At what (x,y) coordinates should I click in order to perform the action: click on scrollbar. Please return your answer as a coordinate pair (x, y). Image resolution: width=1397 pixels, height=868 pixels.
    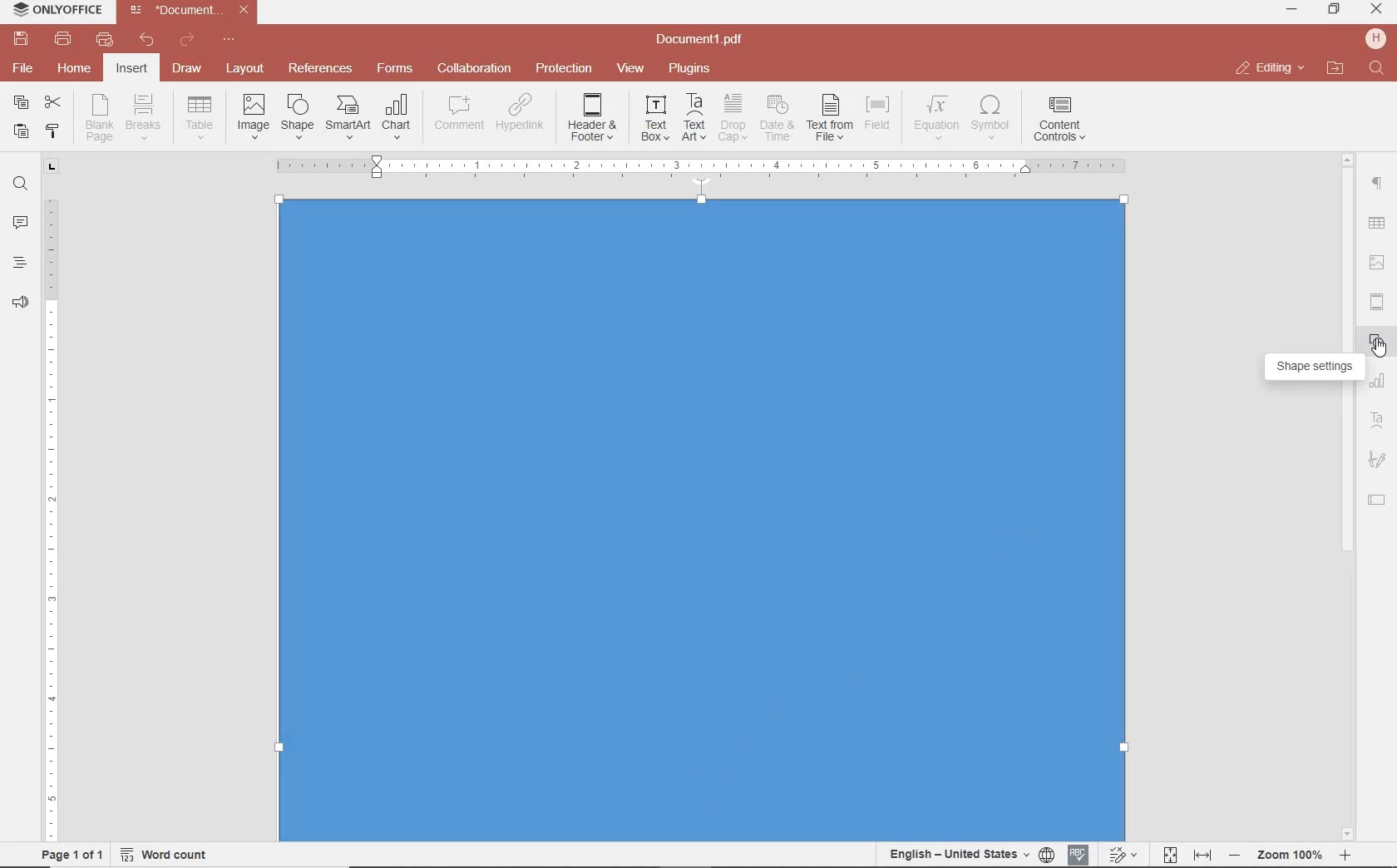
    Looking at the image, I should click on (1348, 633).